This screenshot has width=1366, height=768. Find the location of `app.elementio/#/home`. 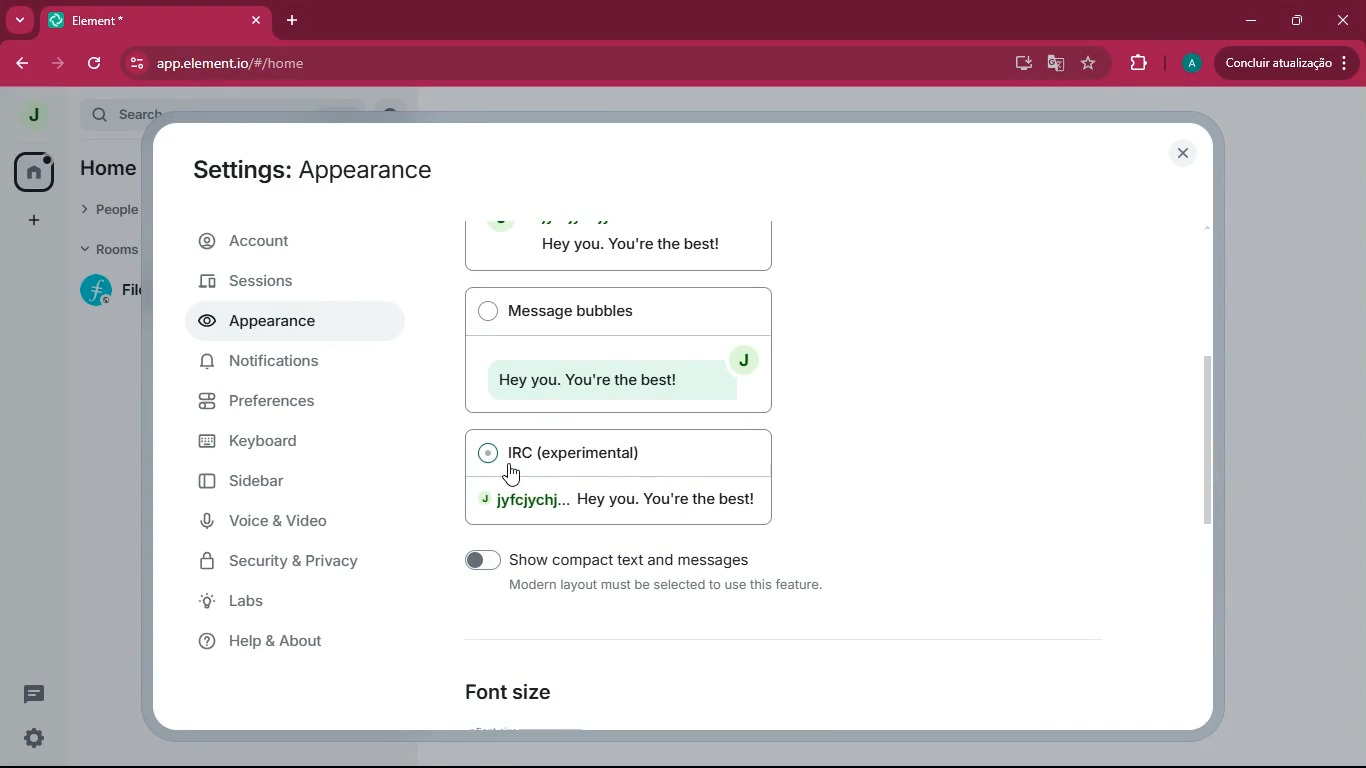

app.elementio/#/home is located at coordinates (437, 63).